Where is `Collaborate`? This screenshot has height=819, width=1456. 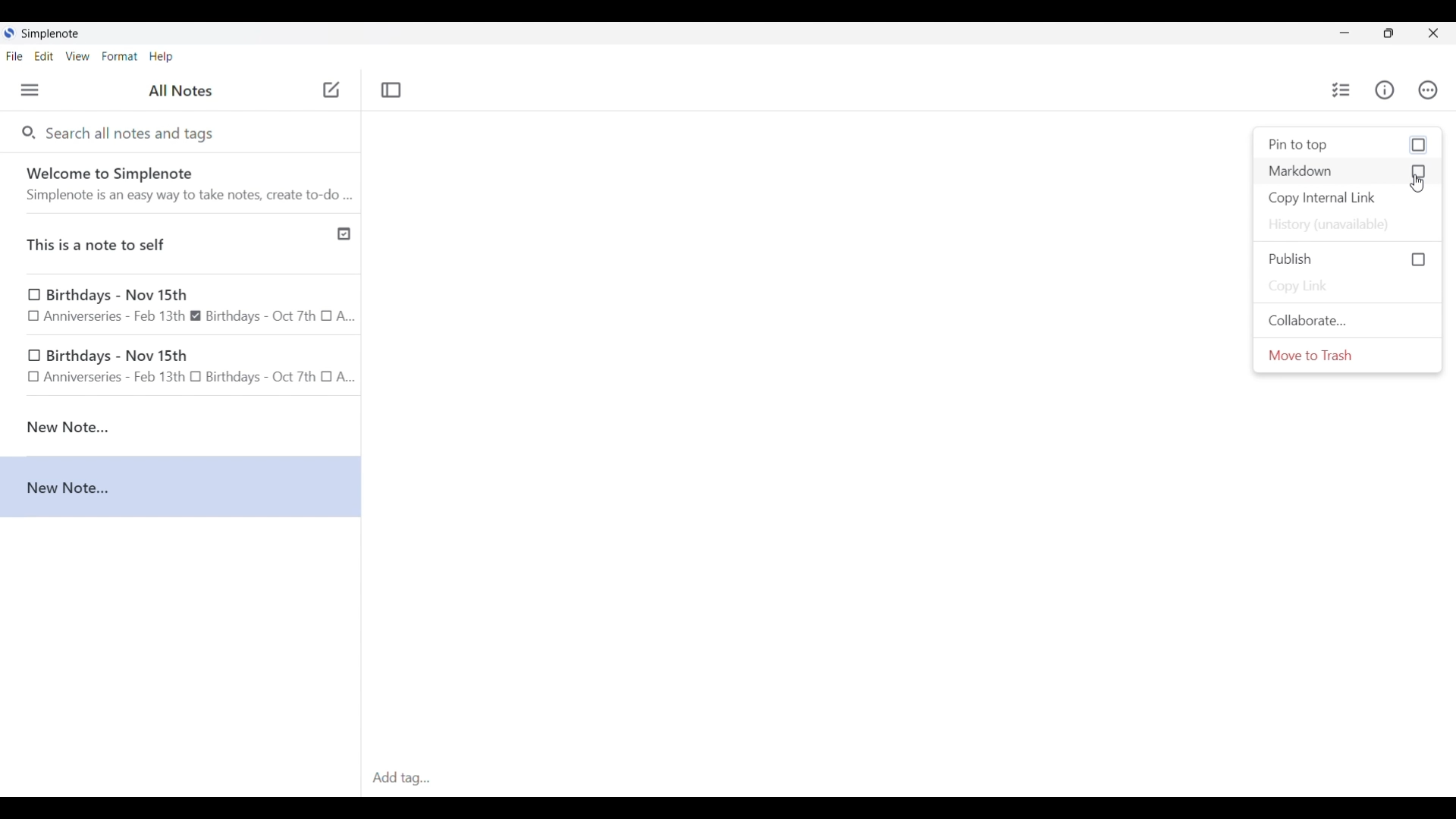
Collaborate is located at coordinates (1348, 320).